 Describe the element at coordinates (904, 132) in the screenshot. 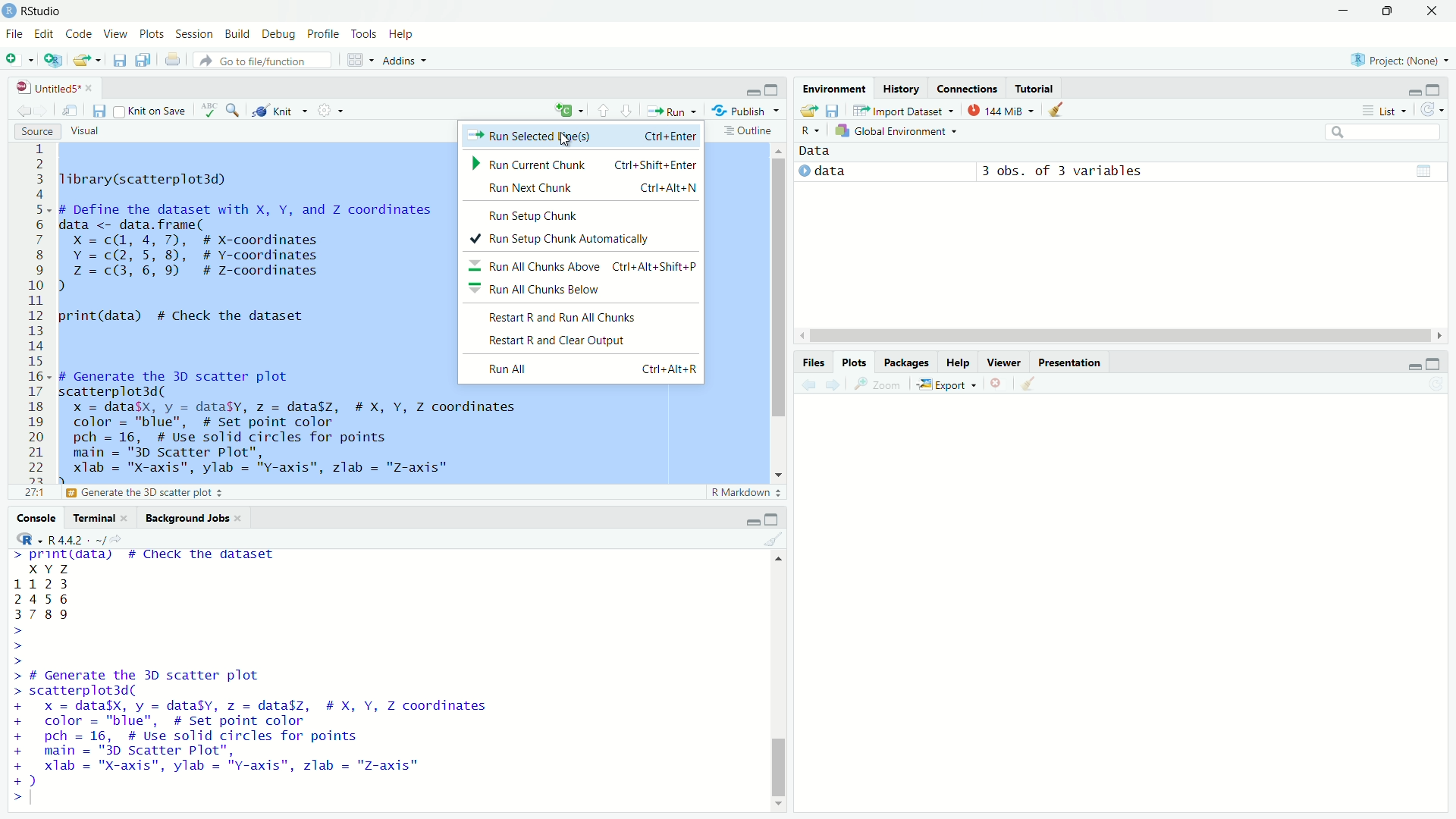

I see `global environment` at that location.